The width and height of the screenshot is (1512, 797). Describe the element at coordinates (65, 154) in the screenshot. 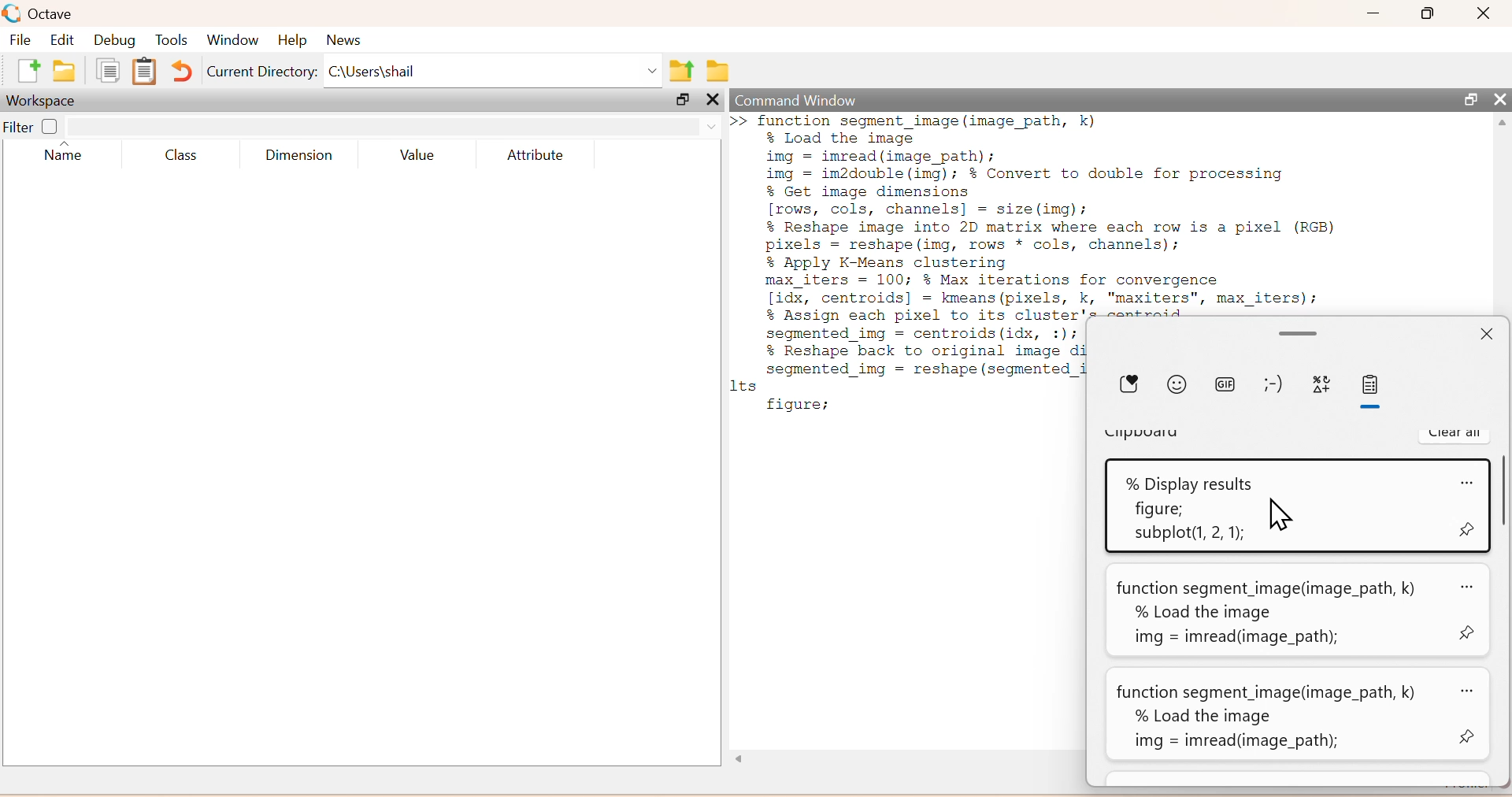

I see `Name` at that location.